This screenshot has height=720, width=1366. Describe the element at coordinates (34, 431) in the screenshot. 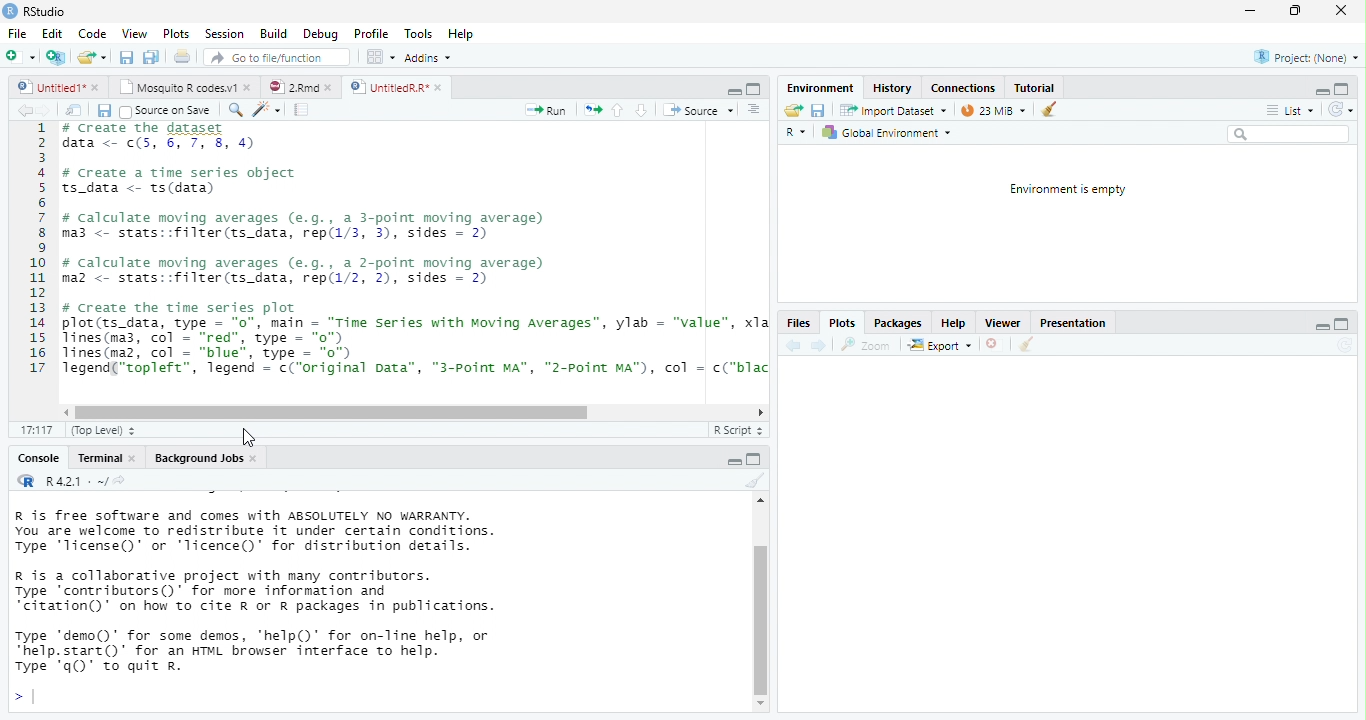

I see `1:1` at that location.